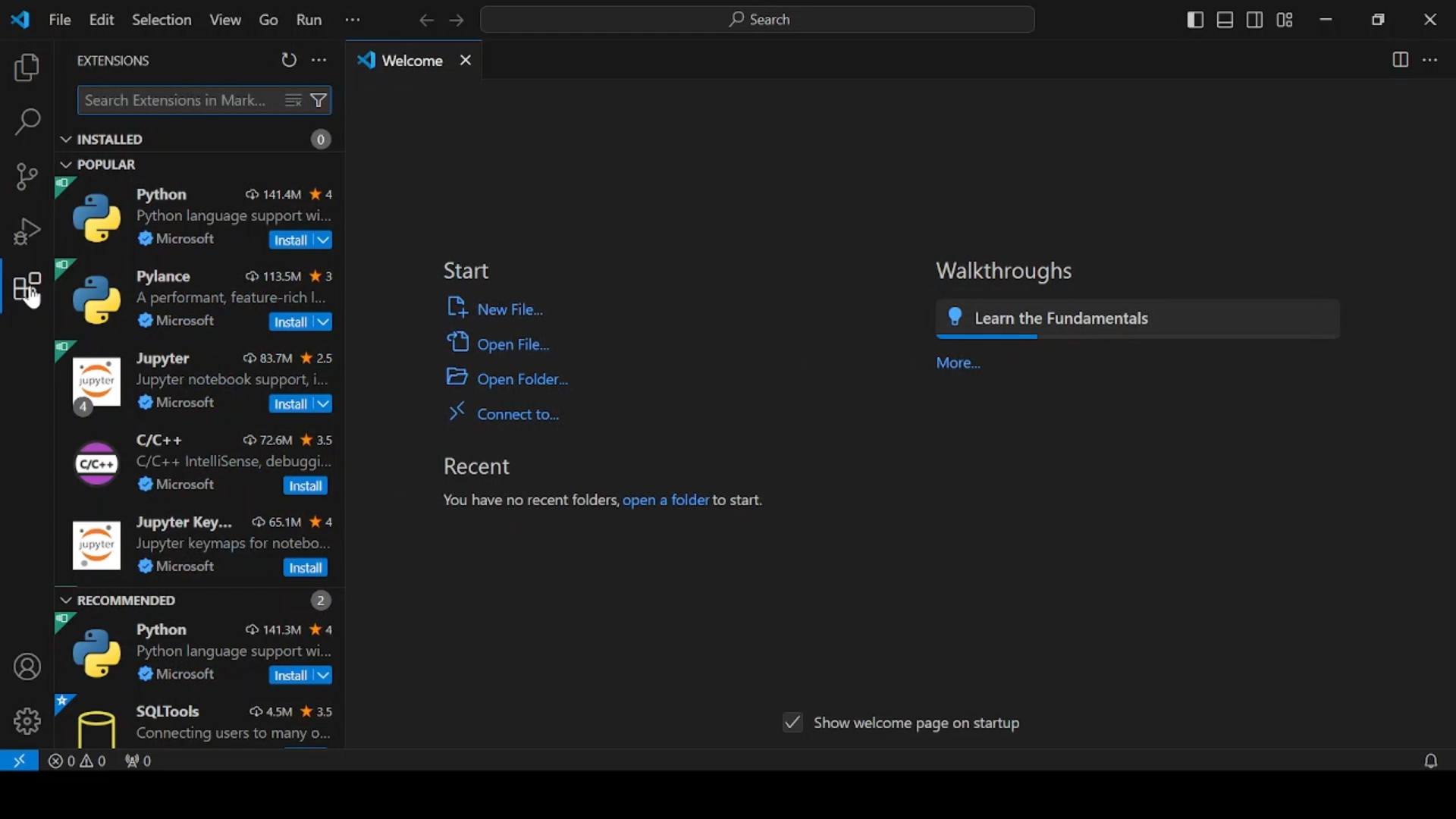 The width and height of the screenshot is (1456, 819). What do you see at coordinates (27, 177) in the screenshot?
I see `source control` at bounding box center [27, 177].